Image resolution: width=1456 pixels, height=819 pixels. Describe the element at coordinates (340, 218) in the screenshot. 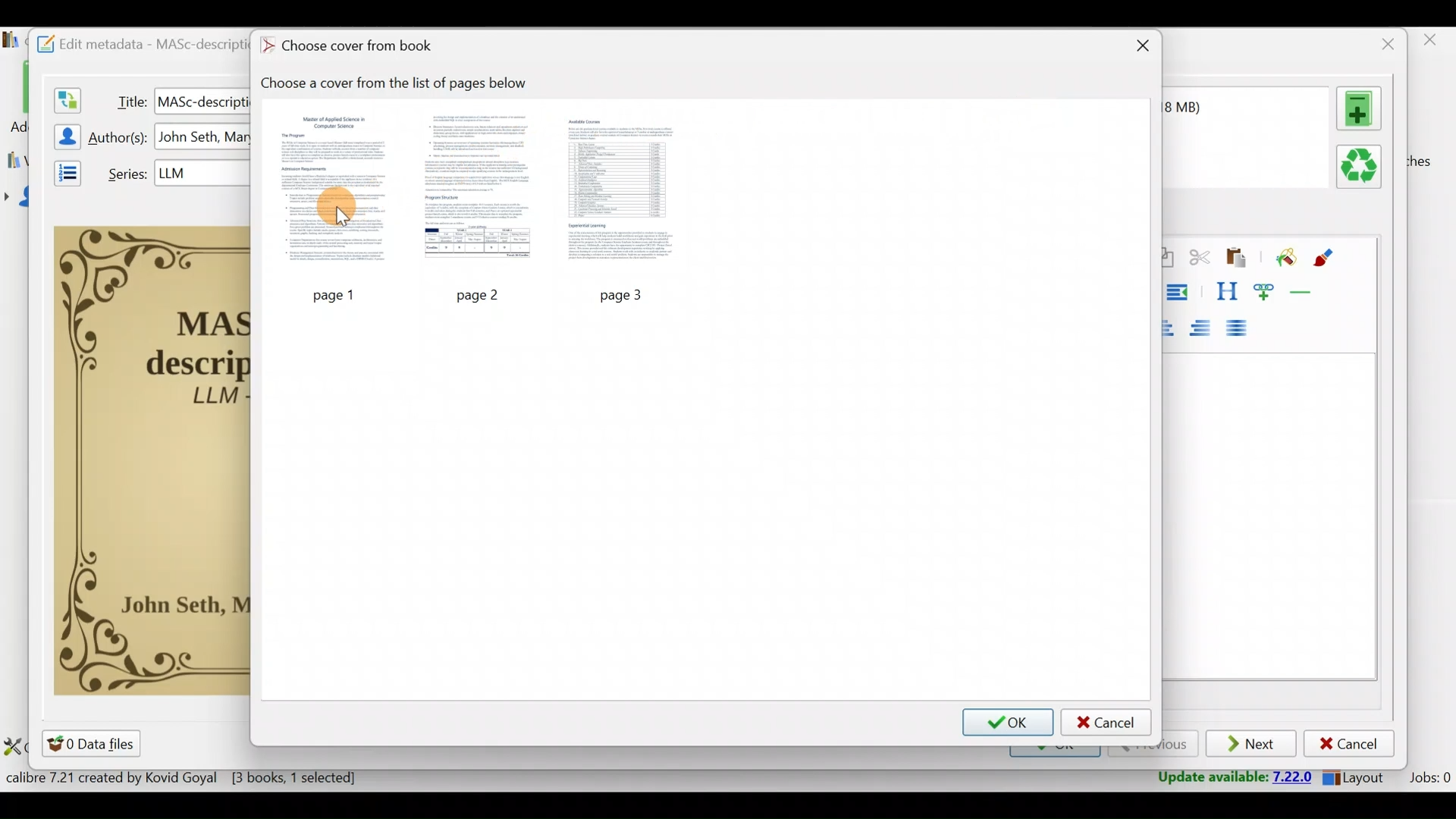

I see `cursor` at that location.